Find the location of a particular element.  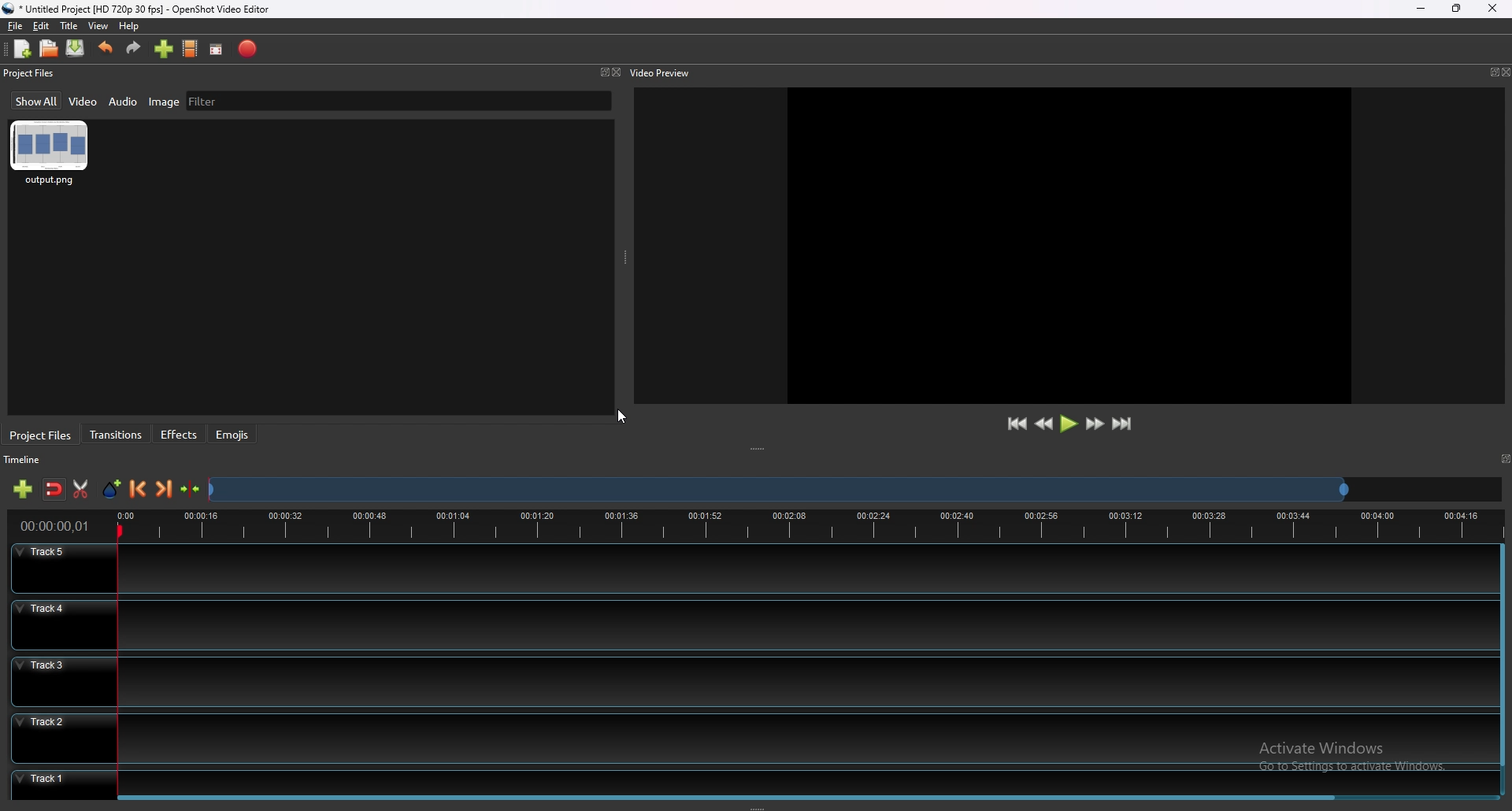

disable snapping is located at coordinates (54, 490).